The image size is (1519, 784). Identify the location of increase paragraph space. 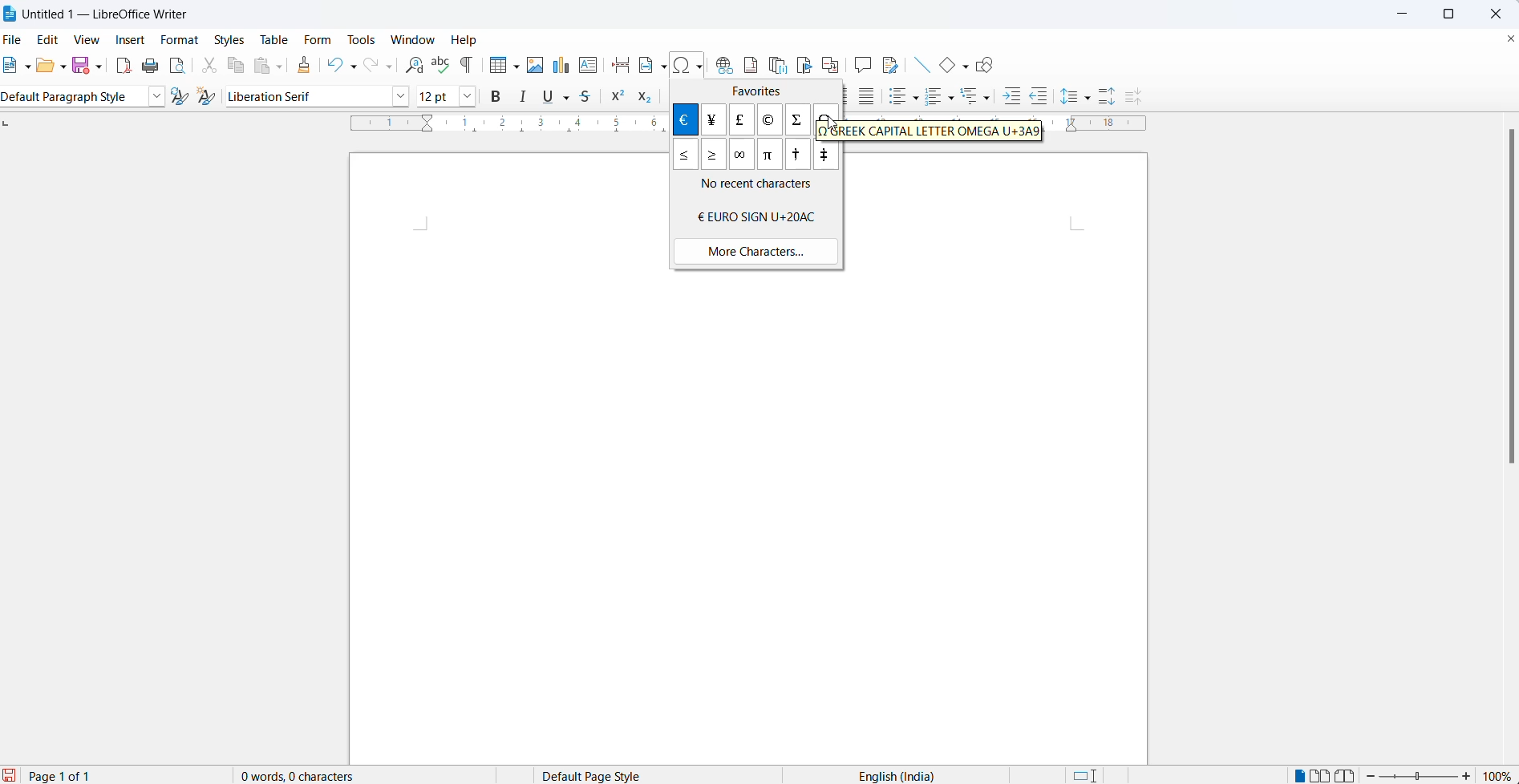
(1115, 93).